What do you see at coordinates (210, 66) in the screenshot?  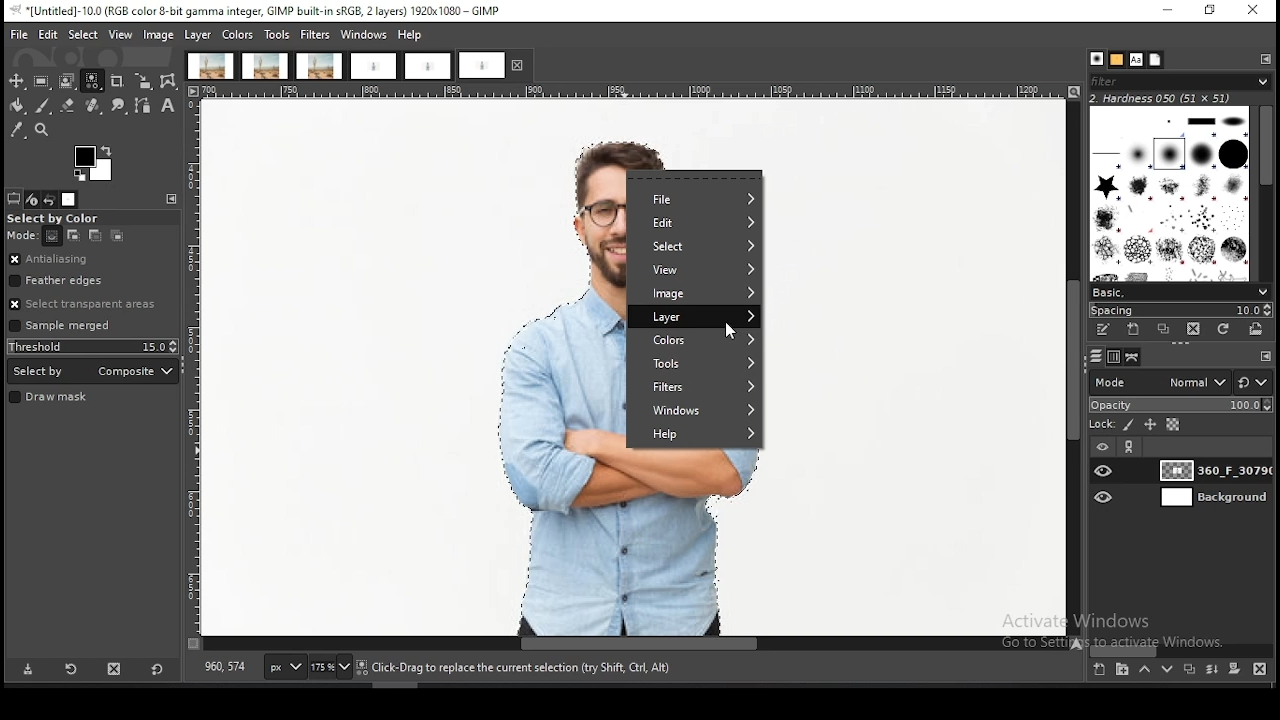 I see `project tab` at bounding box center [210, 66].